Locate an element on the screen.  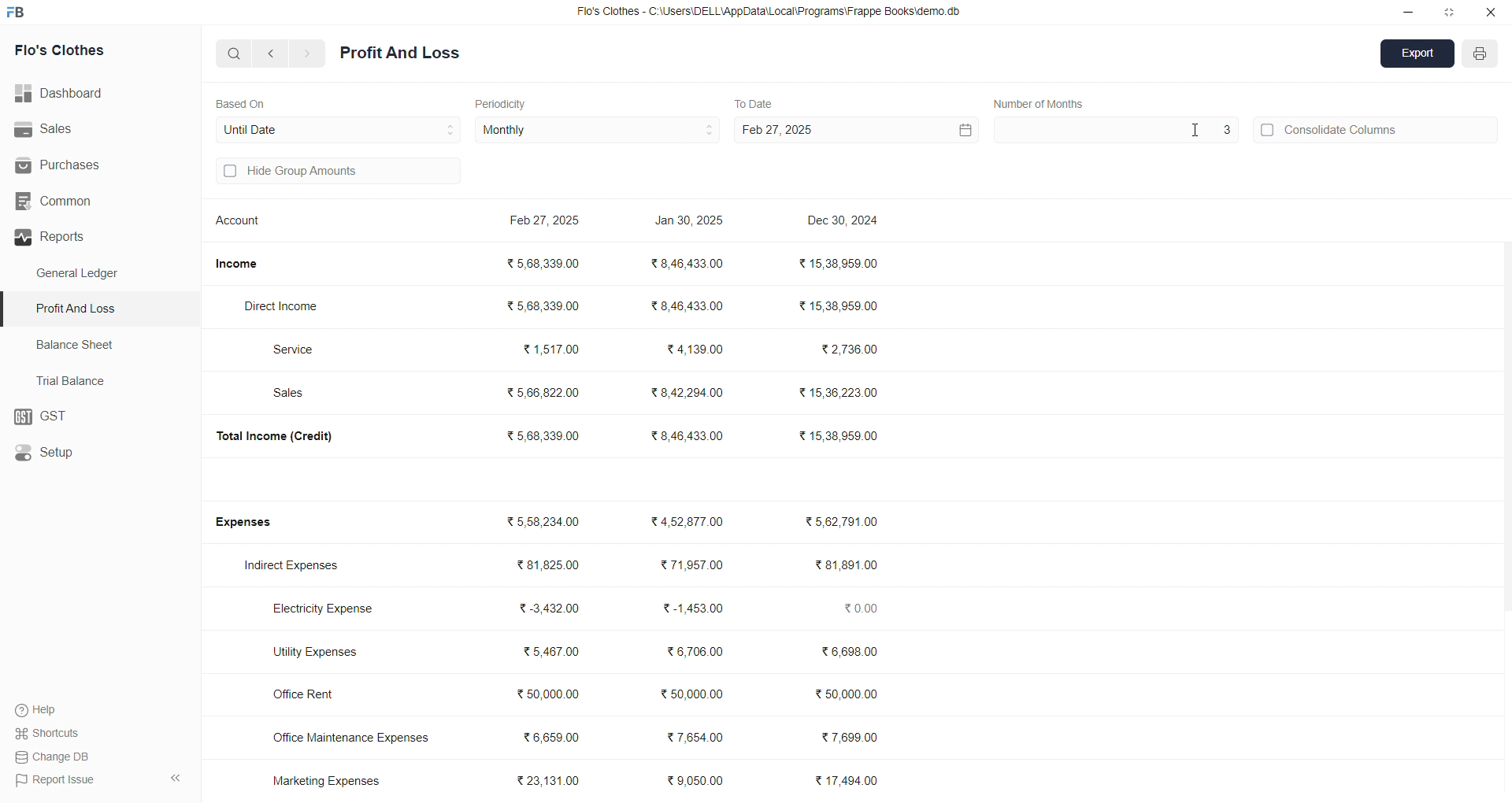
GST is located at coordinates (98, 417).